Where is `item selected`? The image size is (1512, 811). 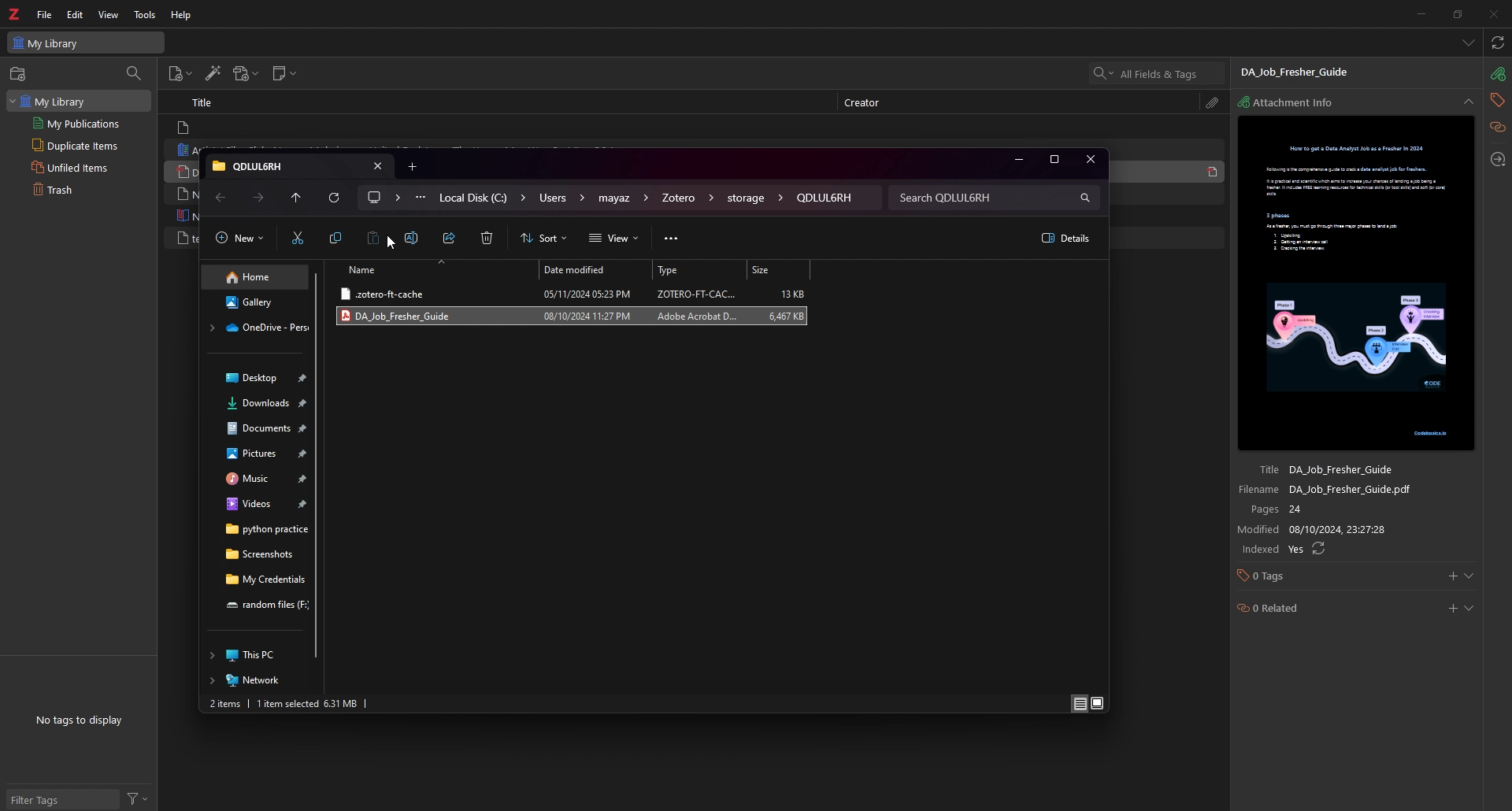 item selected is located at coordinates (287, 703).